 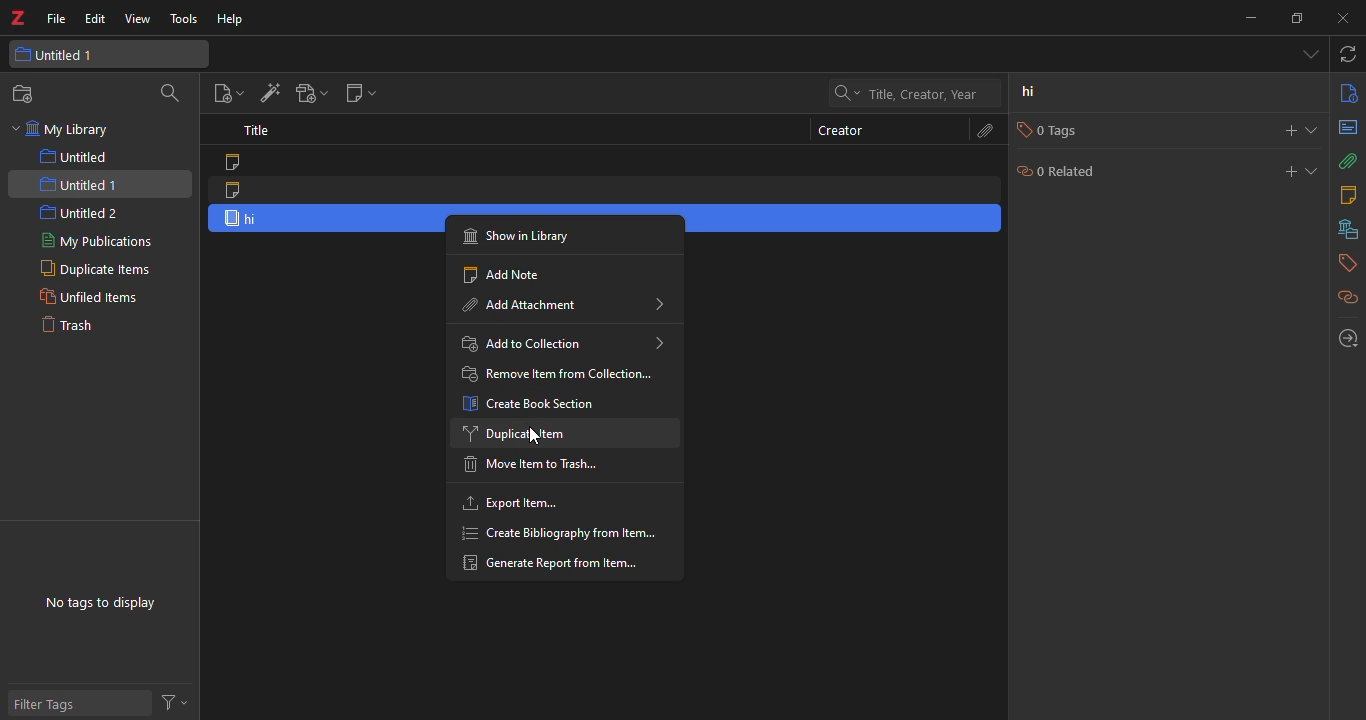 I want to click on add item, so click(x=271, y=93).